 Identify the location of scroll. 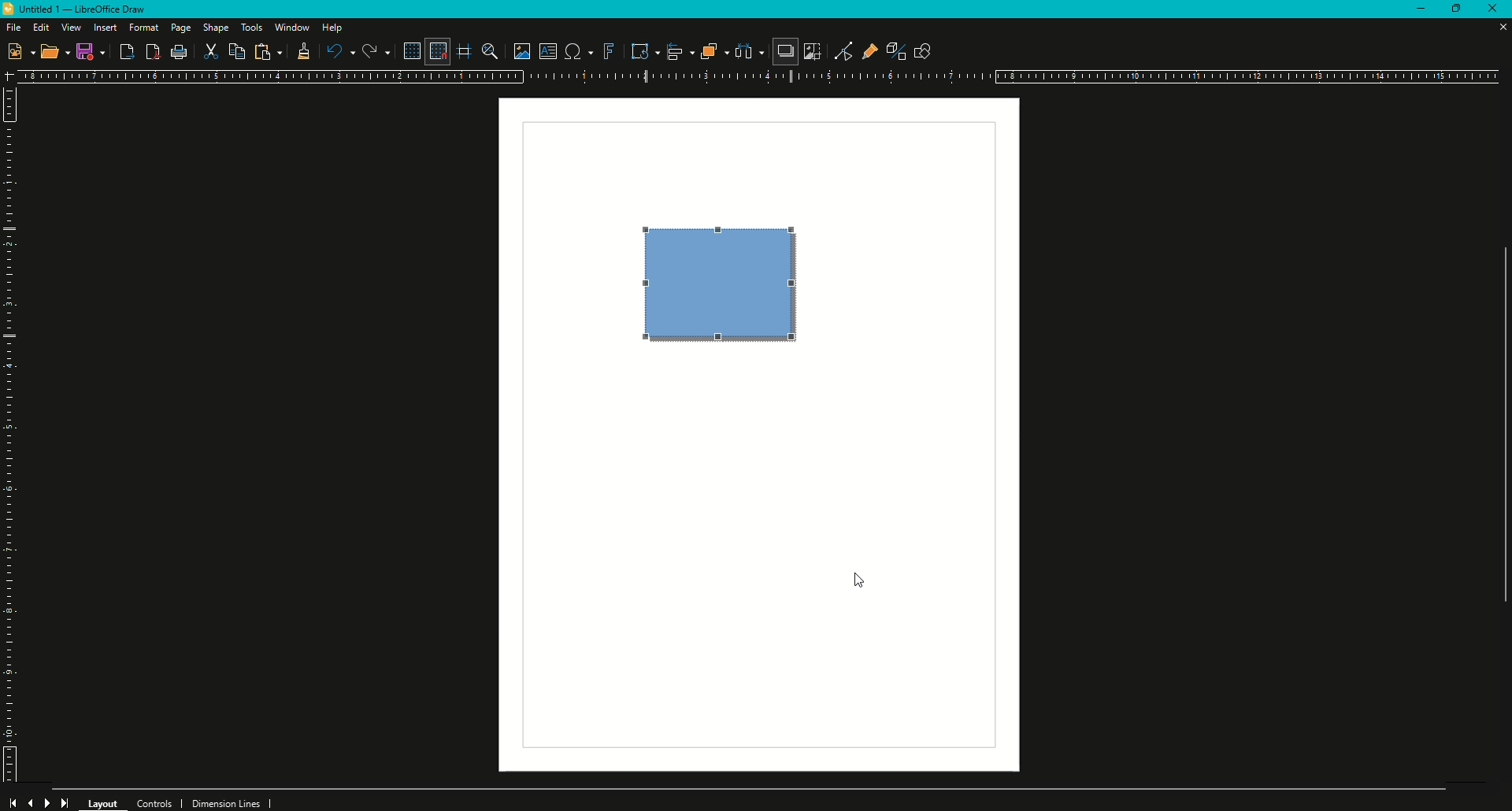
(1497, 437).